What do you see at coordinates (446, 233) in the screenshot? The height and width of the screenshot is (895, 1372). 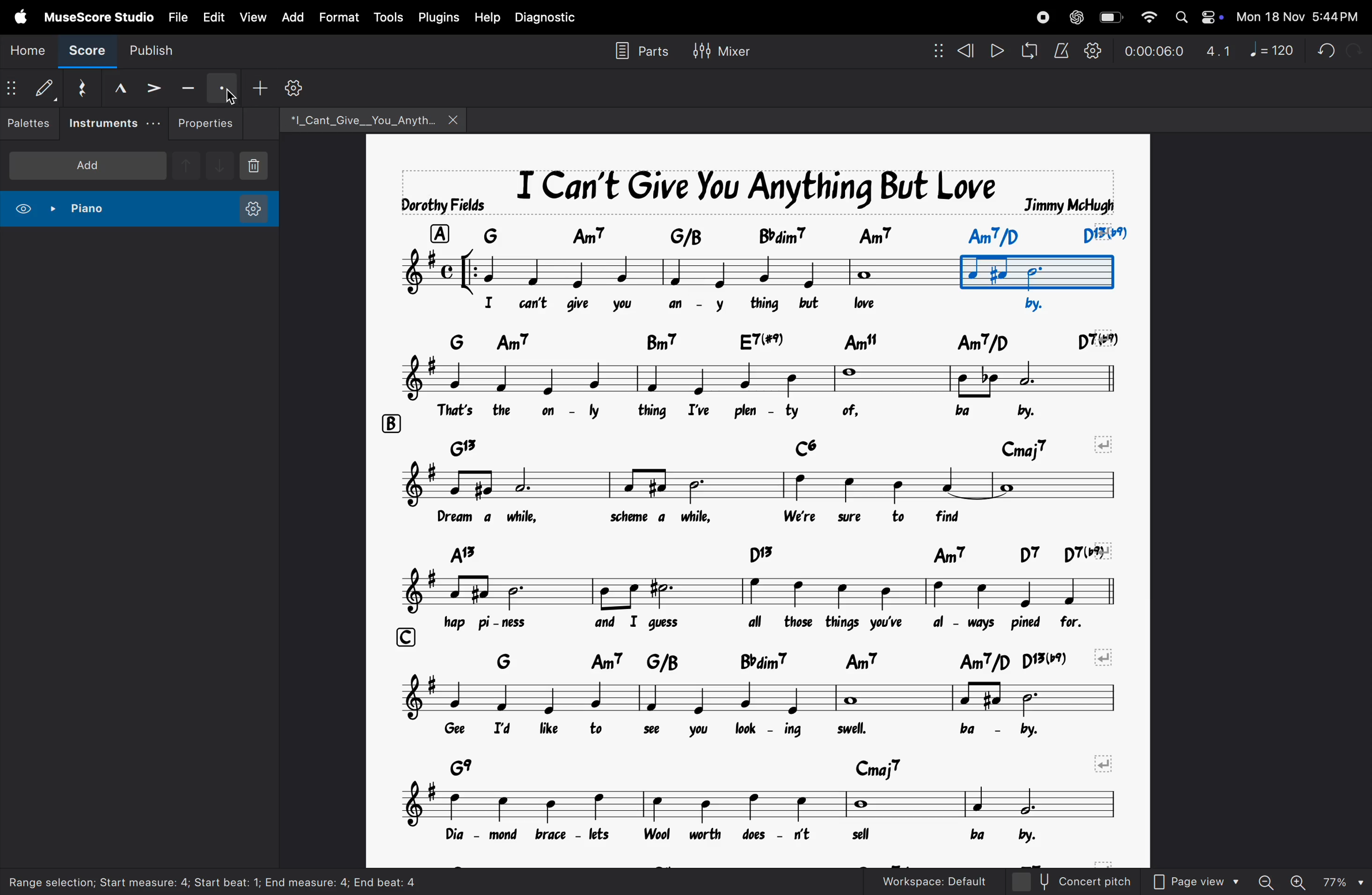 I see `row` at bounding box center [446, 233].